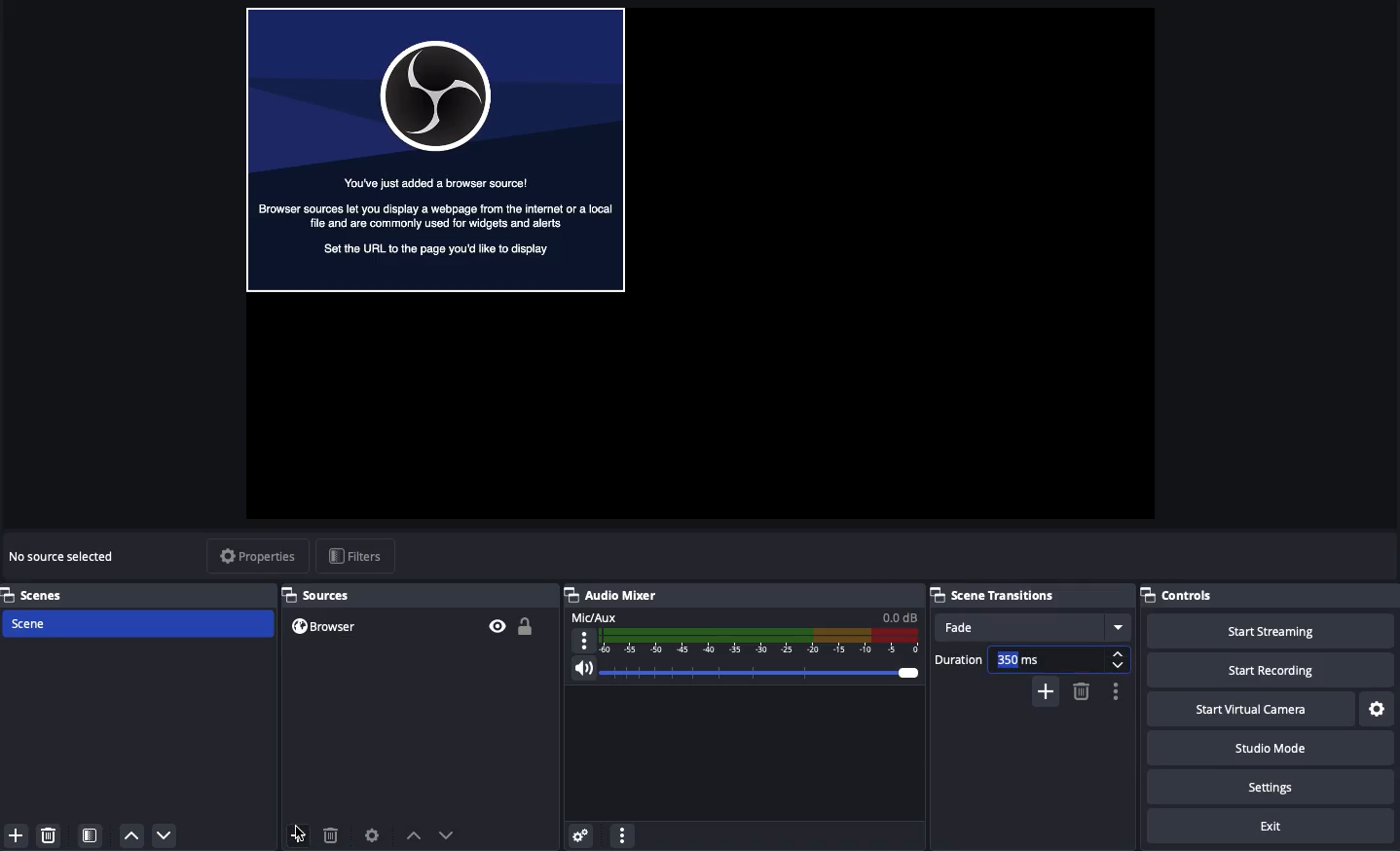 Image resolution: width=1400 pixels, height=851 pixels. I want to click on No source selected, so click(63, 559).